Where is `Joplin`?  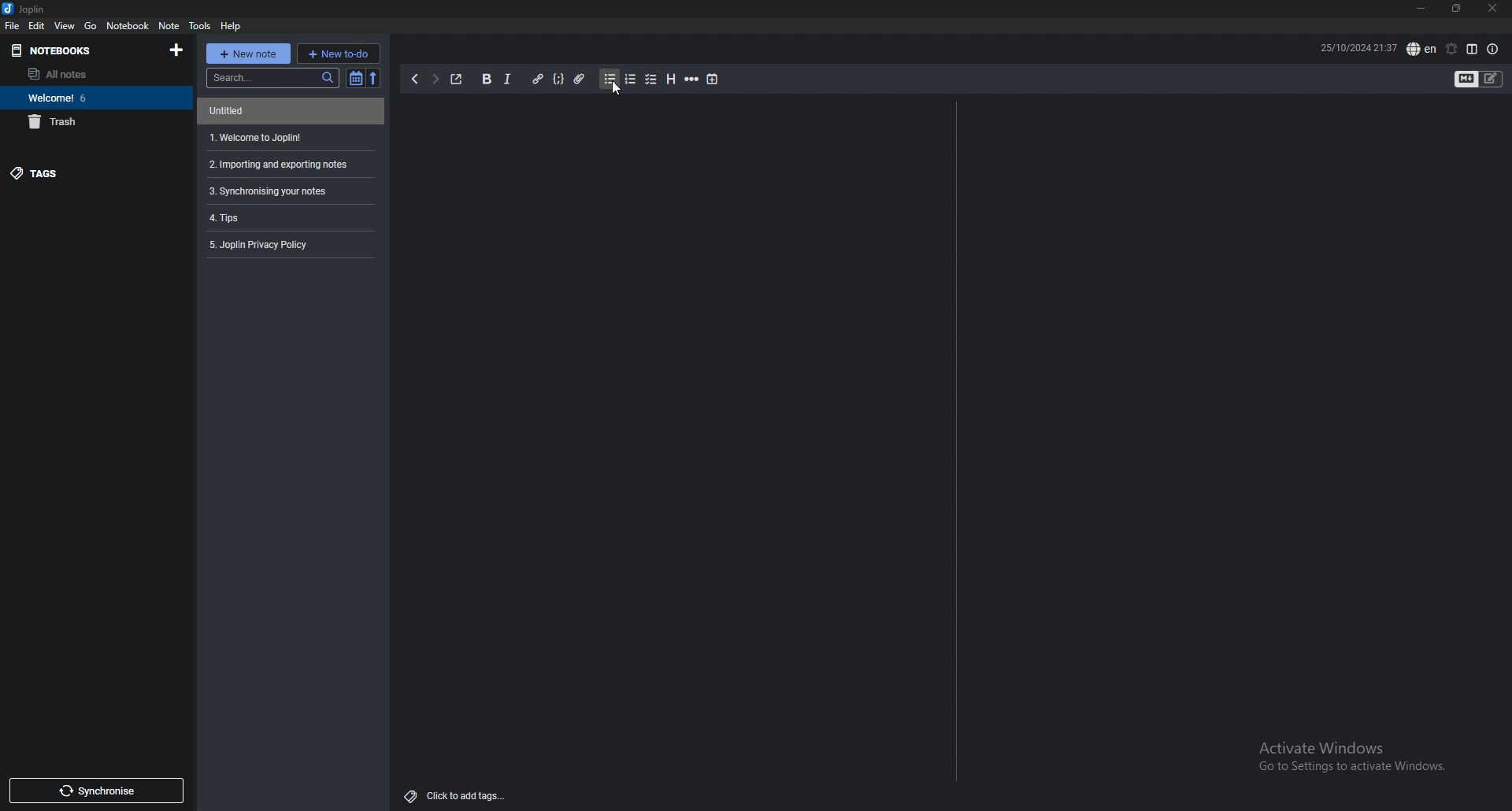
Joplin is located at coordinates (28, 9).